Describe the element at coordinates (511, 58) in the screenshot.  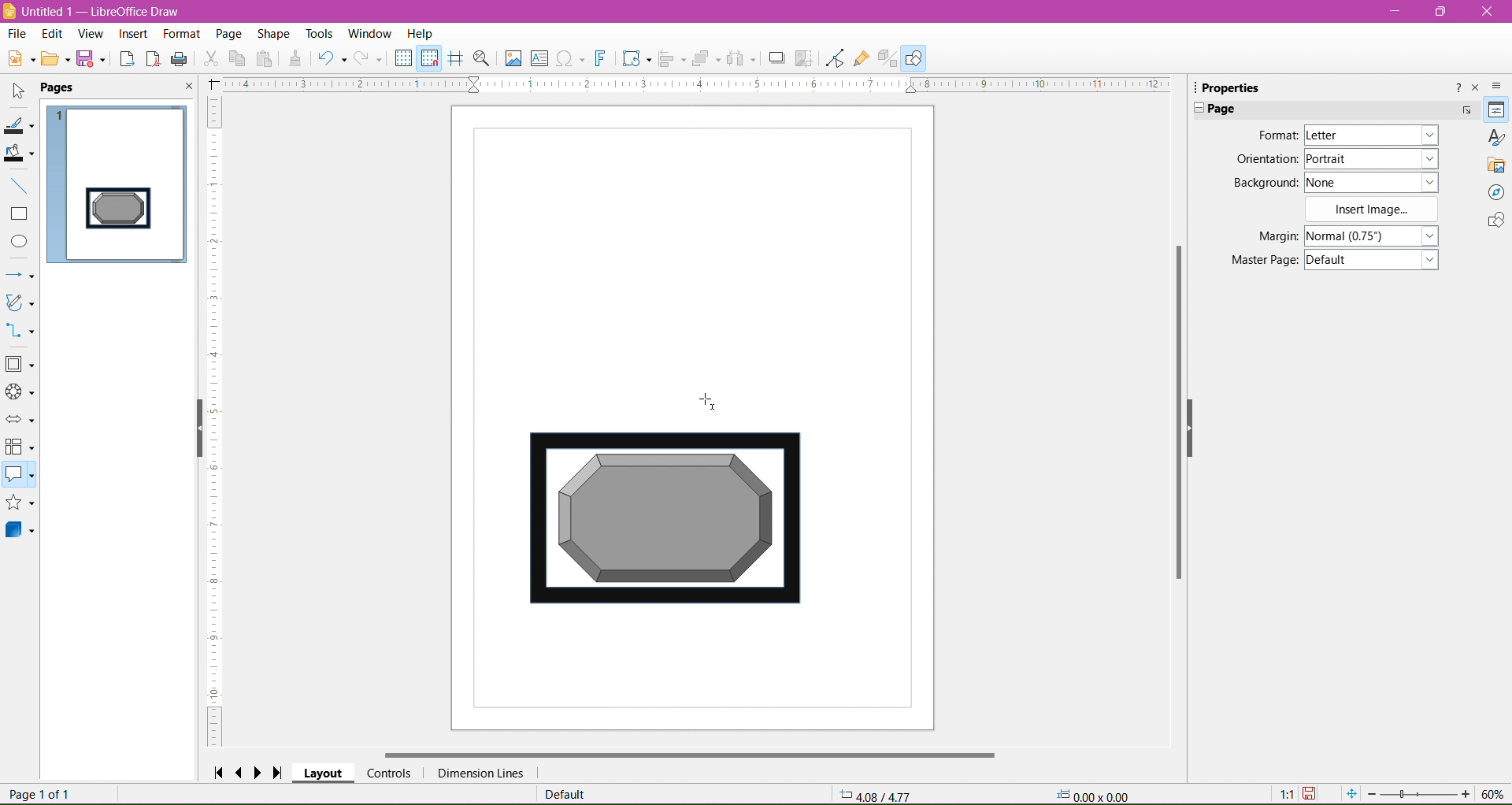
I see `Insert Image` at that location.